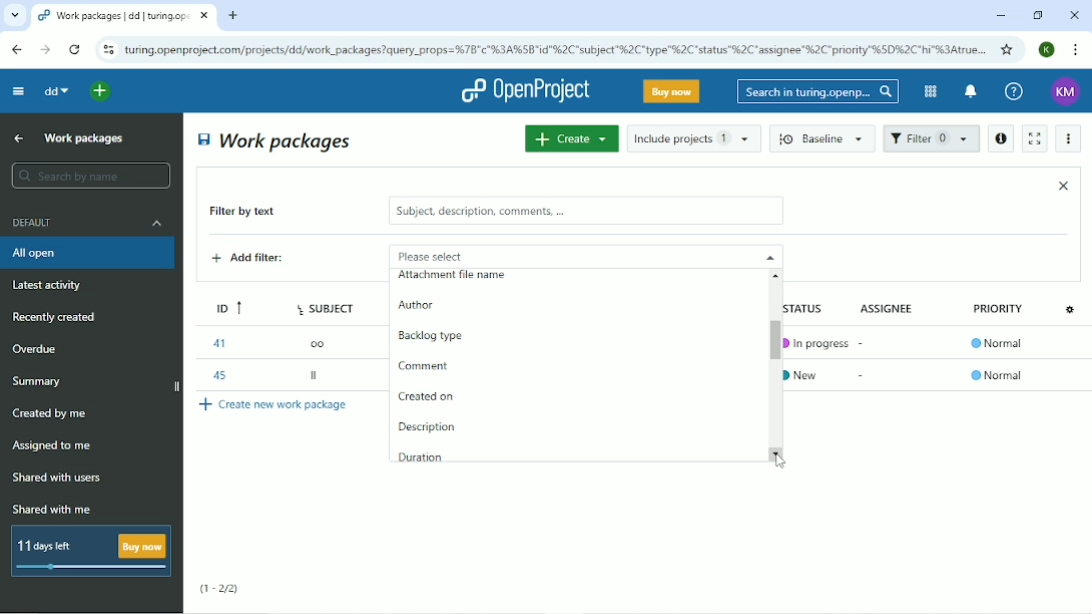 Image resolution: width=1092 pixels, height=614 pixels. Describe the element at coordinates (58, 317) in the screenshot. I see `Recently created` at that location.